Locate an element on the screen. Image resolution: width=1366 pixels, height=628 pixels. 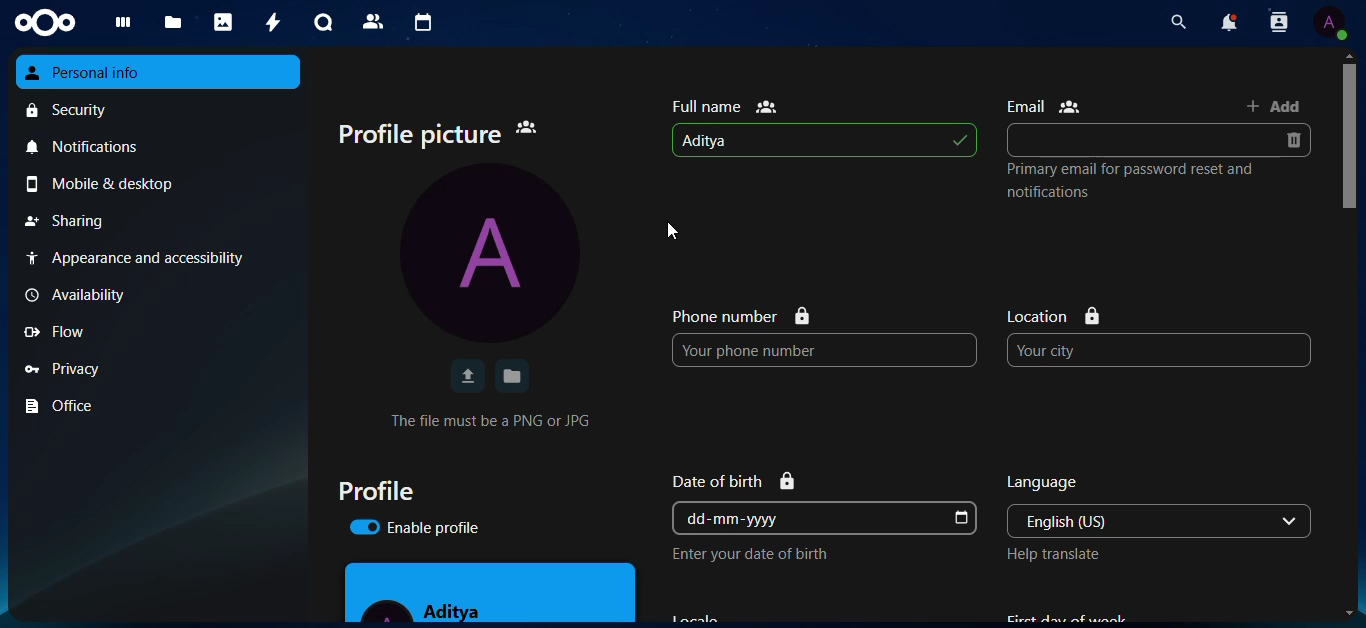
profile is located at coordinates (375, 490).